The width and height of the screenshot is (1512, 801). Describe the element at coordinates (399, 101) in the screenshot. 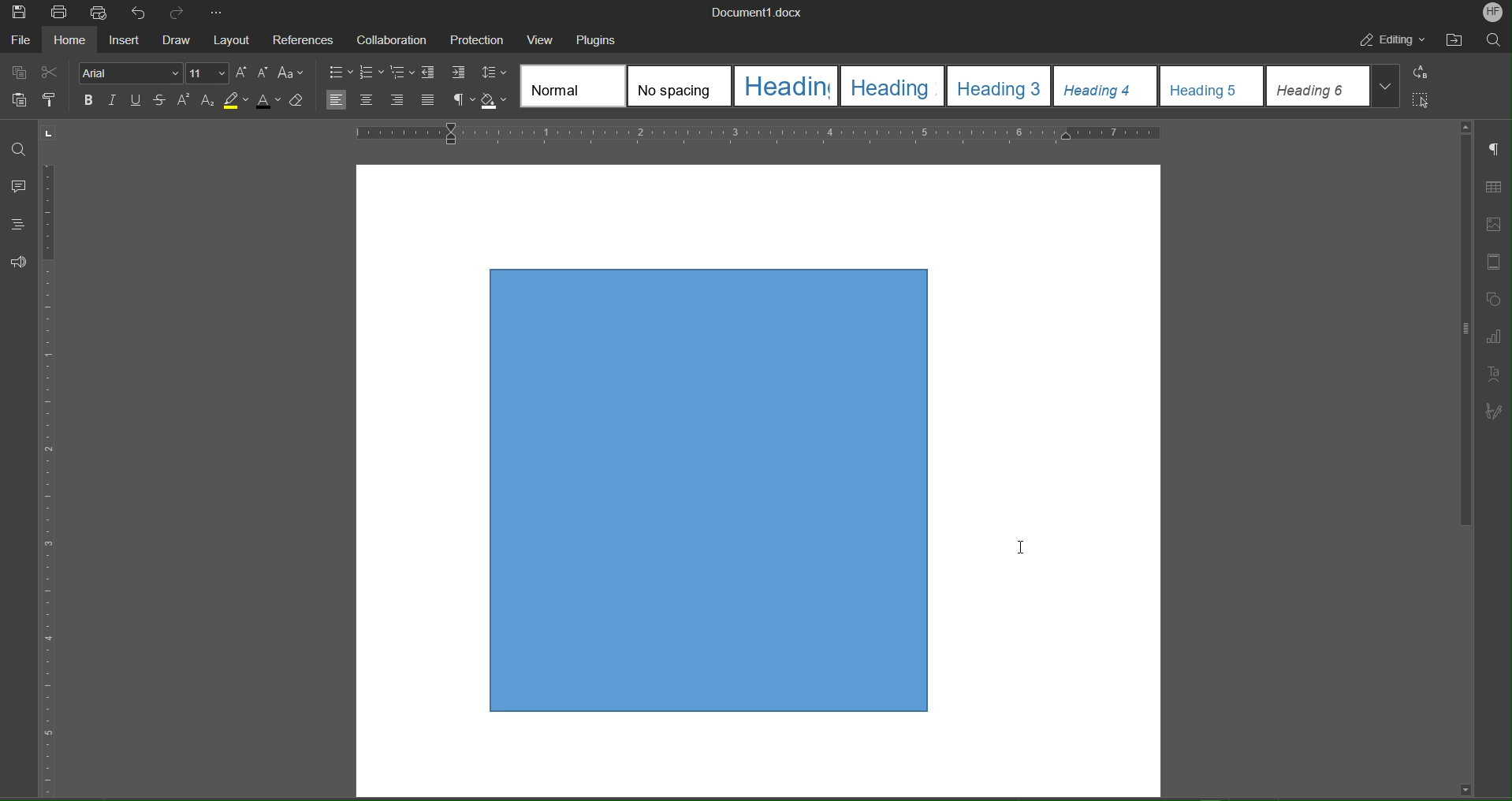

I see `Right Align` at that location.